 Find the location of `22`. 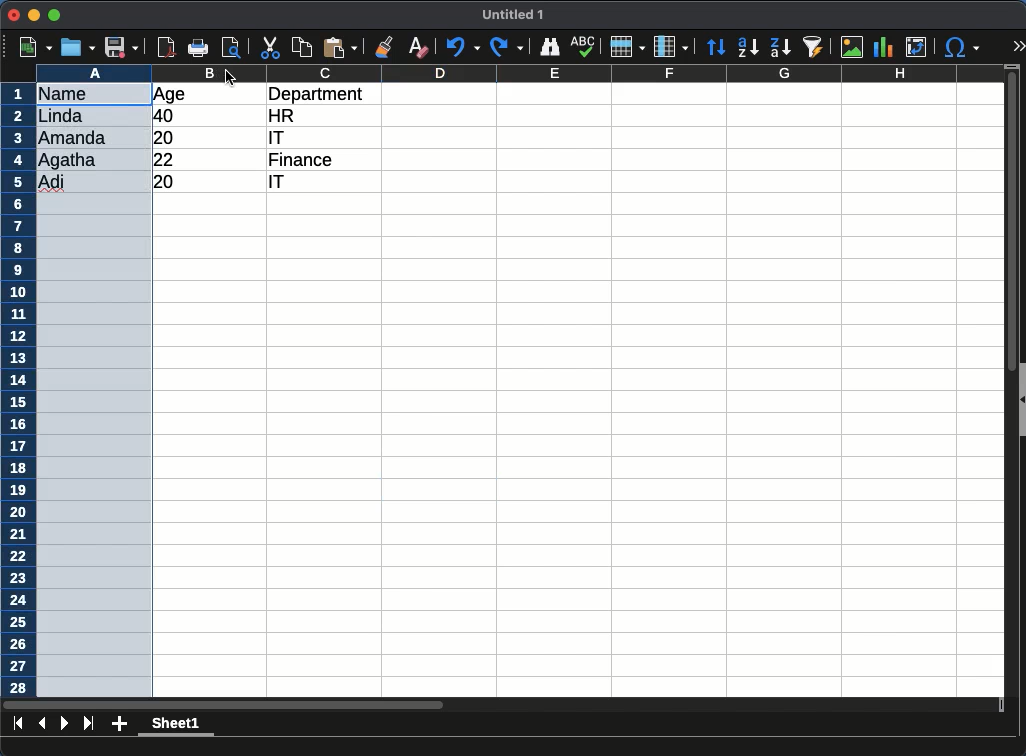

22 is located at coordinates (168, 159).